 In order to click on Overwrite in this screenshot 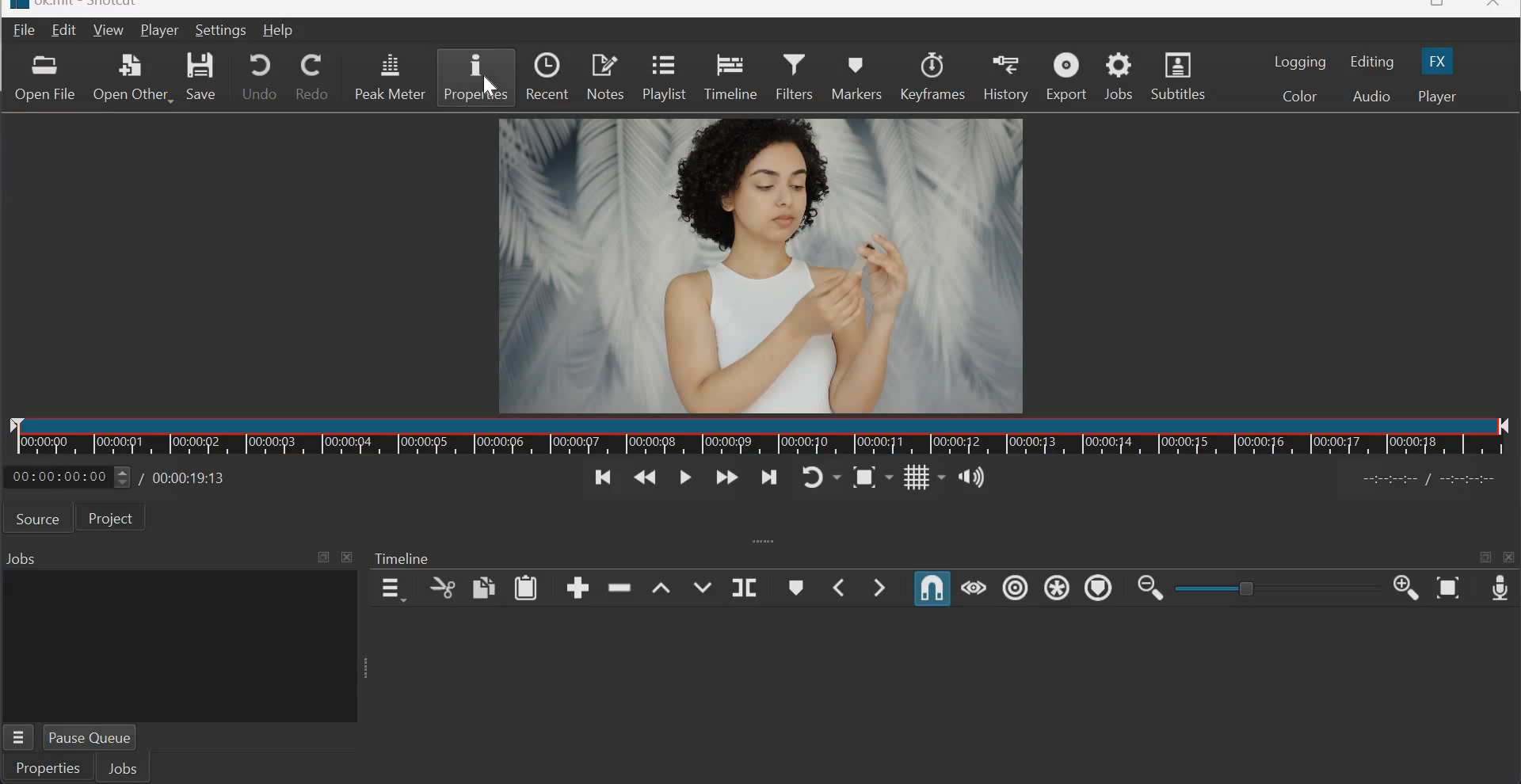, I will do `click(701, 584)`.